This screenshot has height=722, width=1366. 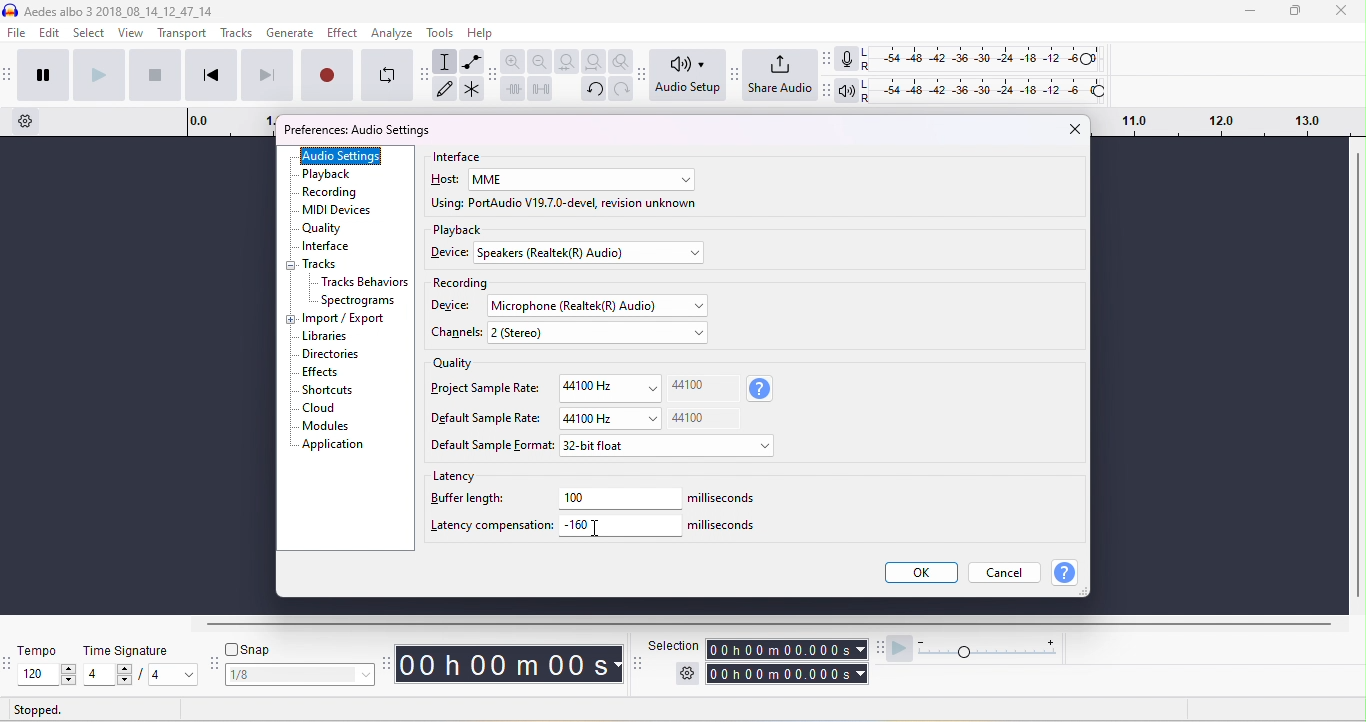 I want to click on playback meter, so click(x=849, y=91).